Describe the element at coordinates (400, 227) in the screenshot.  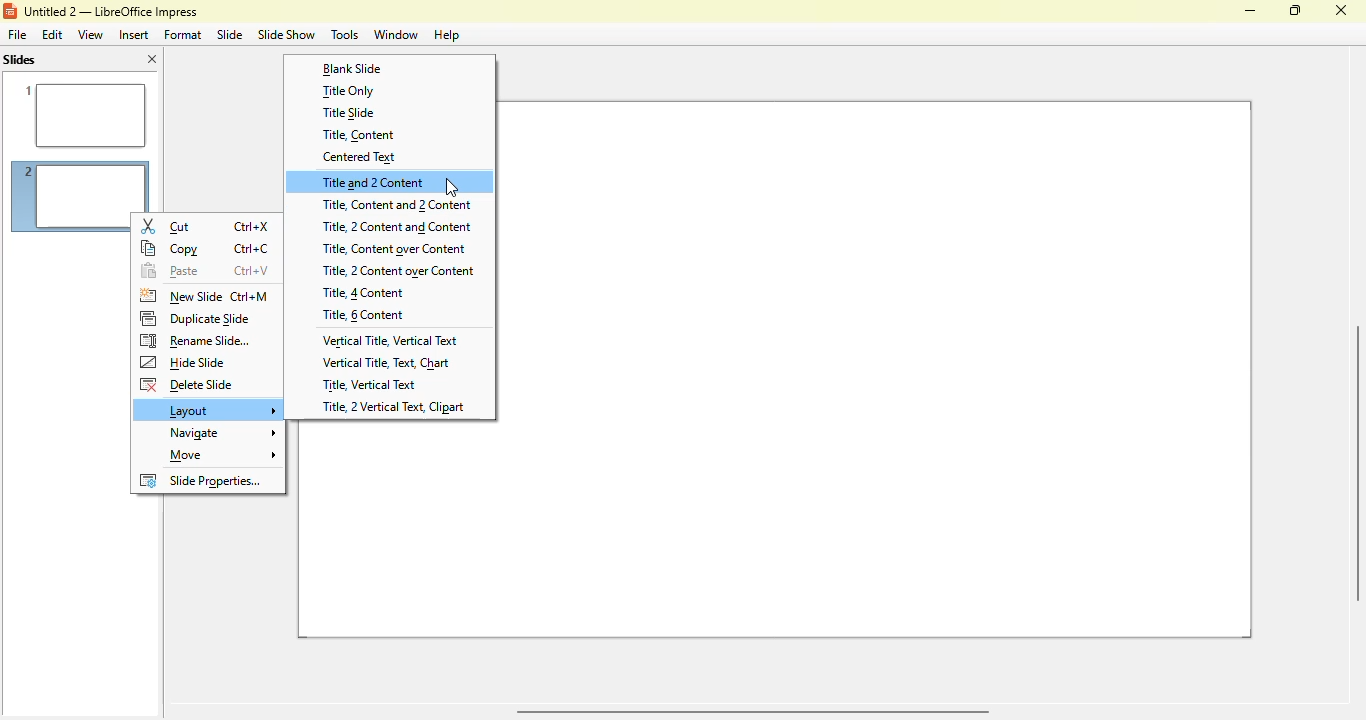
I see `title, 2 content and content` at that location.